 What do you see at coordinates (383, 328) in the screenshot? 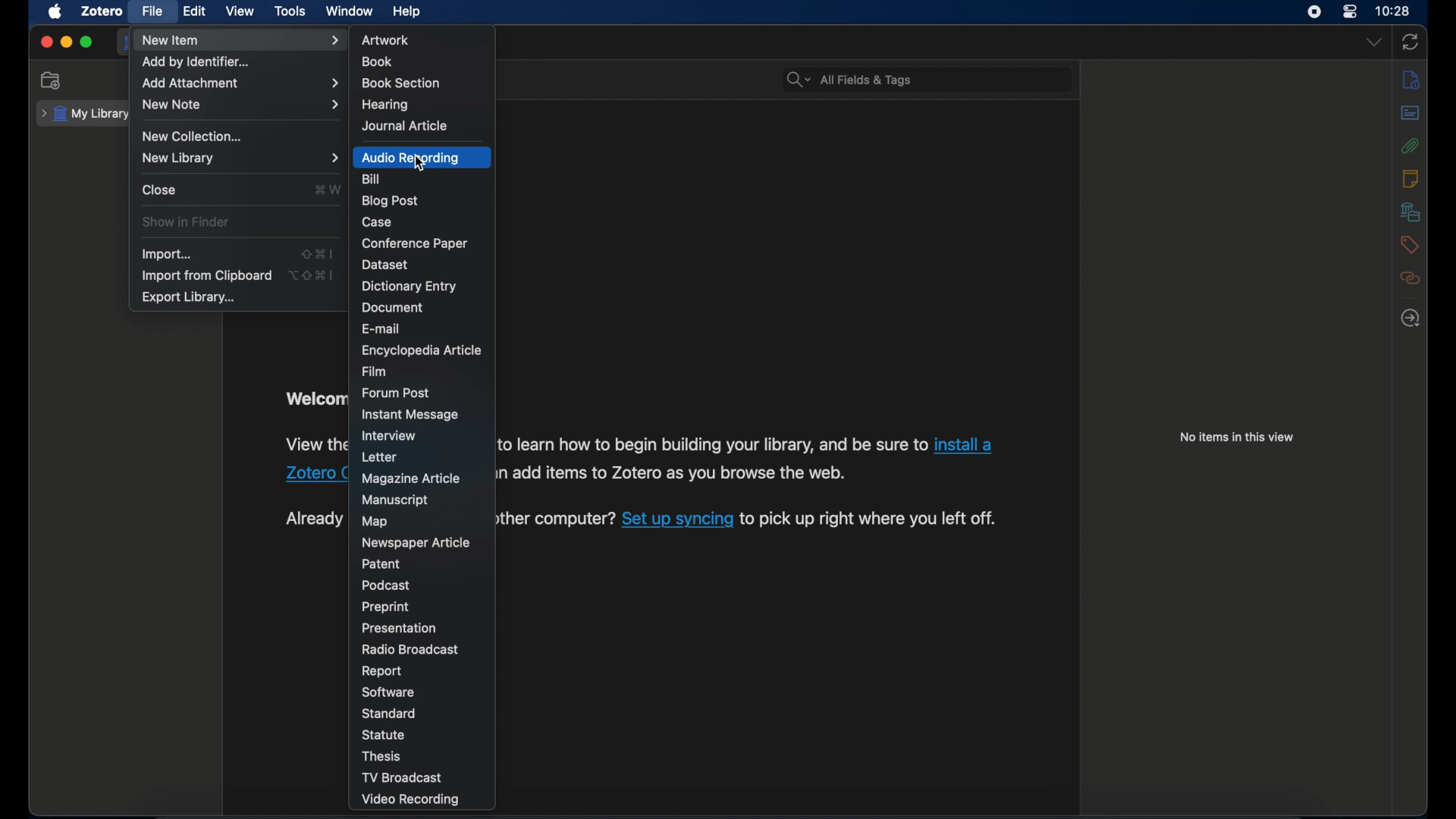
I see `e-mail` at bounding box center [383, 328].